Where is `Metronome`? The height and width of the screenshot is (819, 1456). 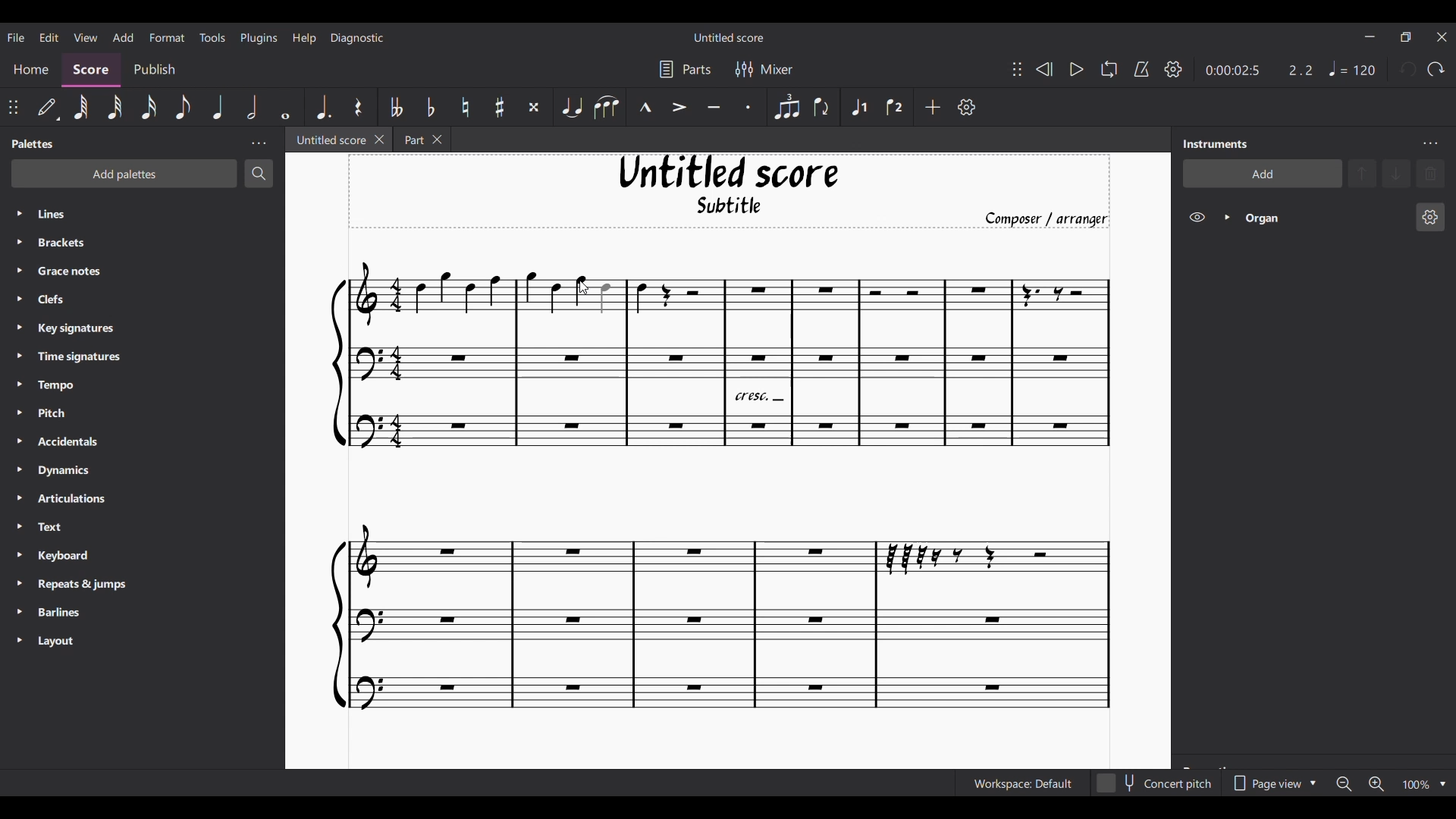 Metronome is located at coordinates (1141, 69).